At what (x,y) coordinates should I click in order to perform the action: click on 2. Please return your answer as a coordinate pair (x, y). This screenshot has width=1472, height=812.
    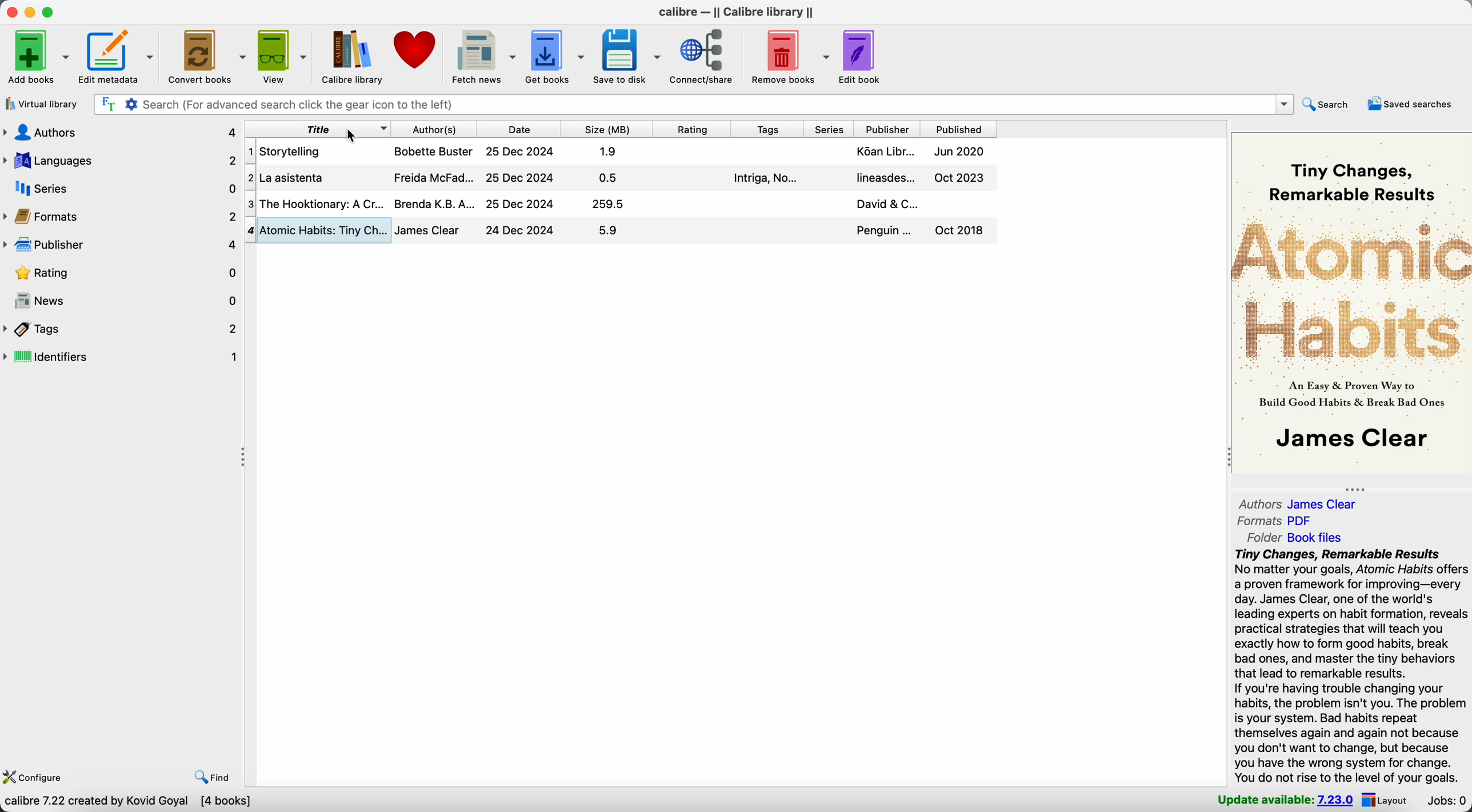
    Looking at the image, I should click on (250, 178).